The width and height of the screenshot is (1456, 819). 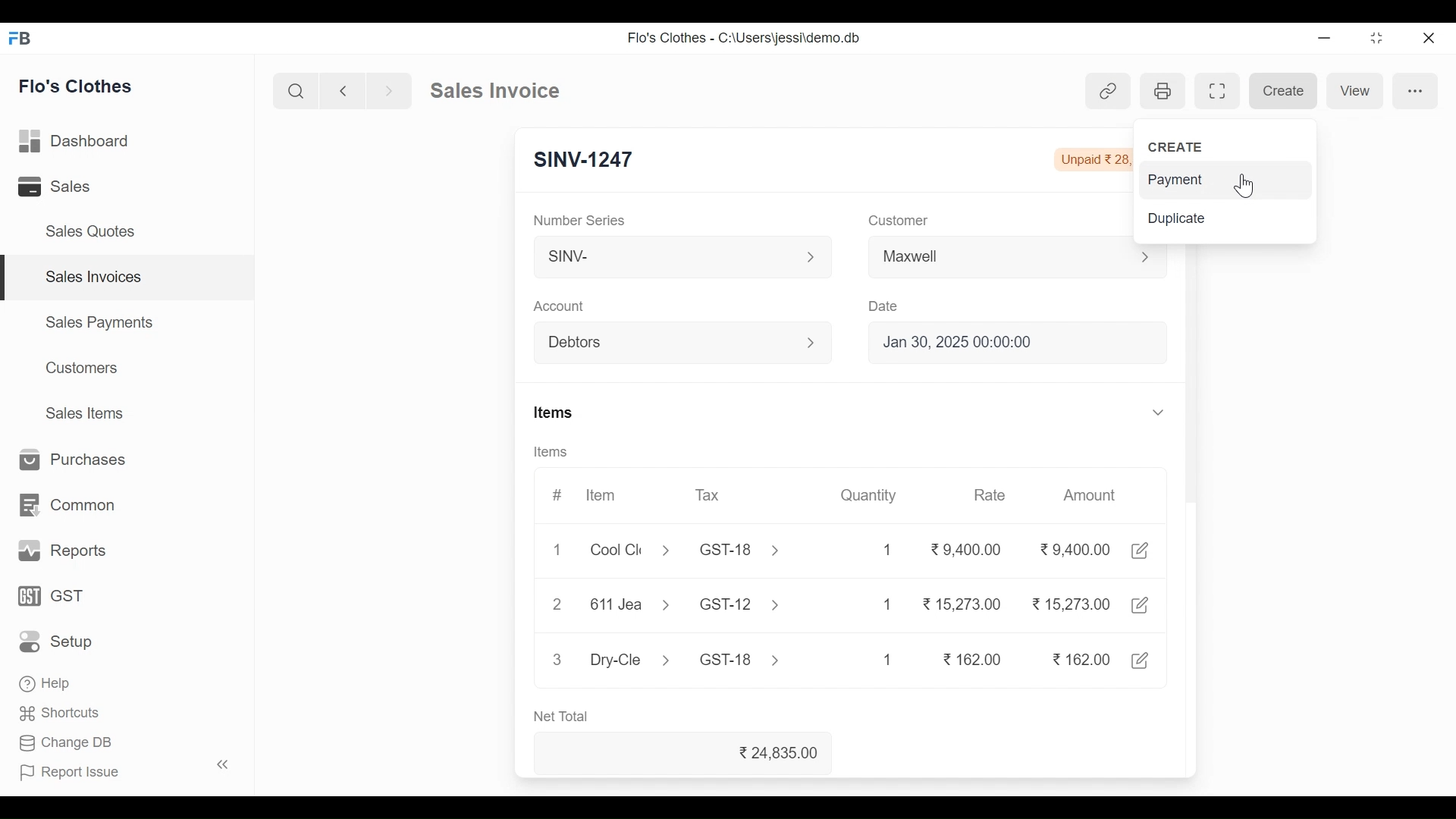 What do you see at coordinates (585, 219) in the screenshot?
I see `Number Series` at bounding box center [585, 219].